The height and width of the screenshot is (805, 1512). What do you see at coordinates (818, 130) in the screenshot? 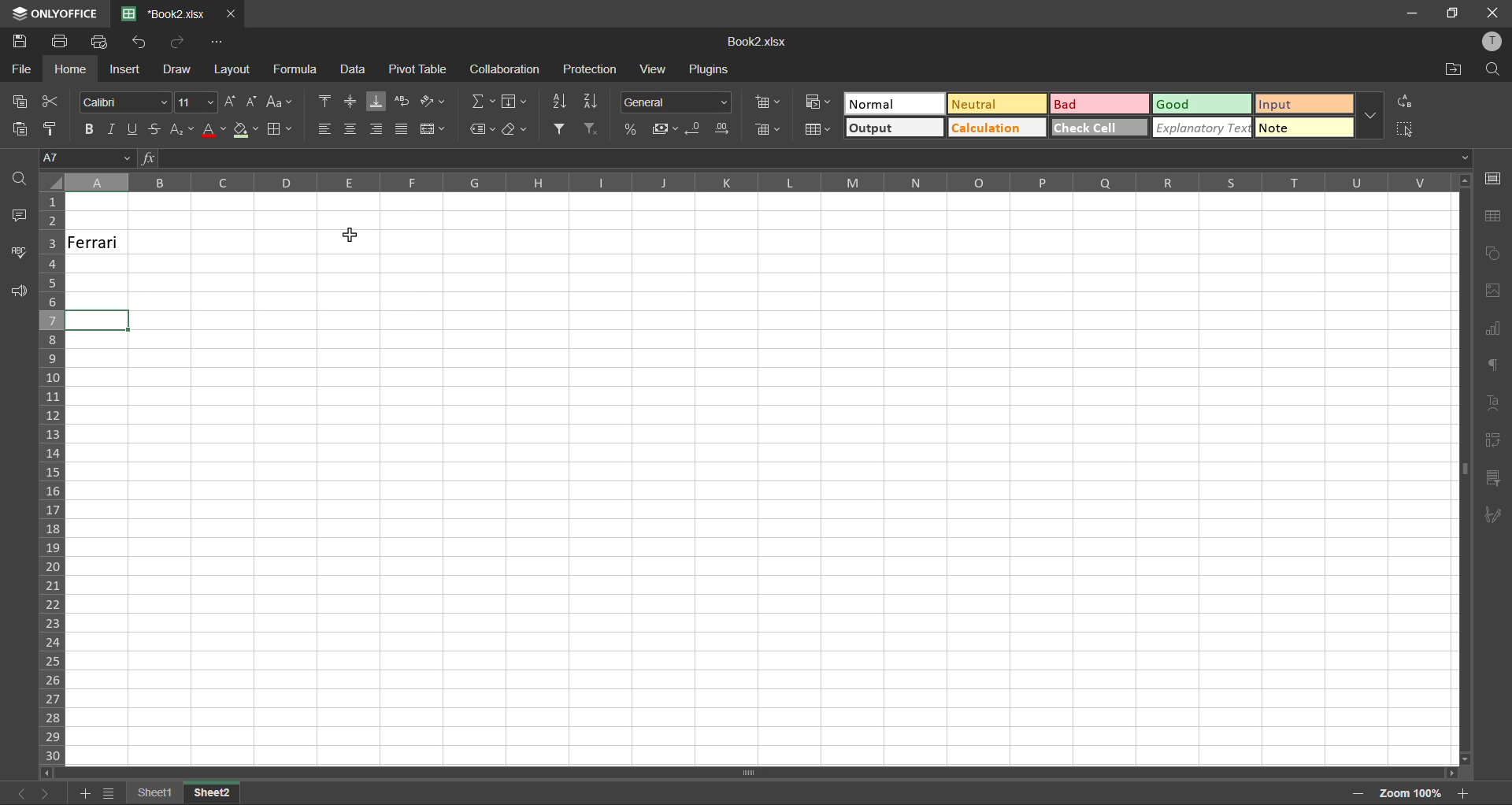
I see `format as table` at bounding box center [818, 130].